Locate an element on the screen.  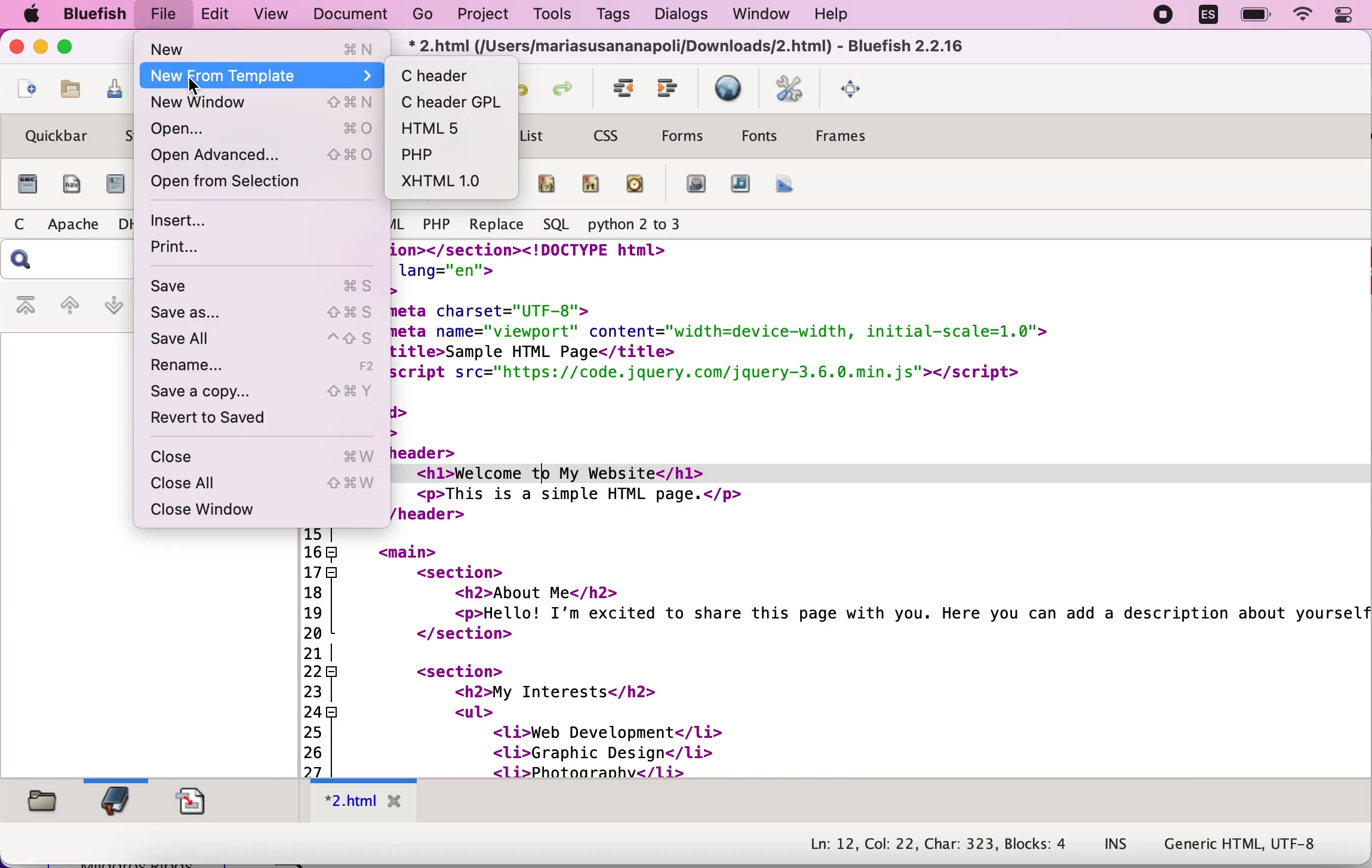
ins is located at coordinates (1119, 840).